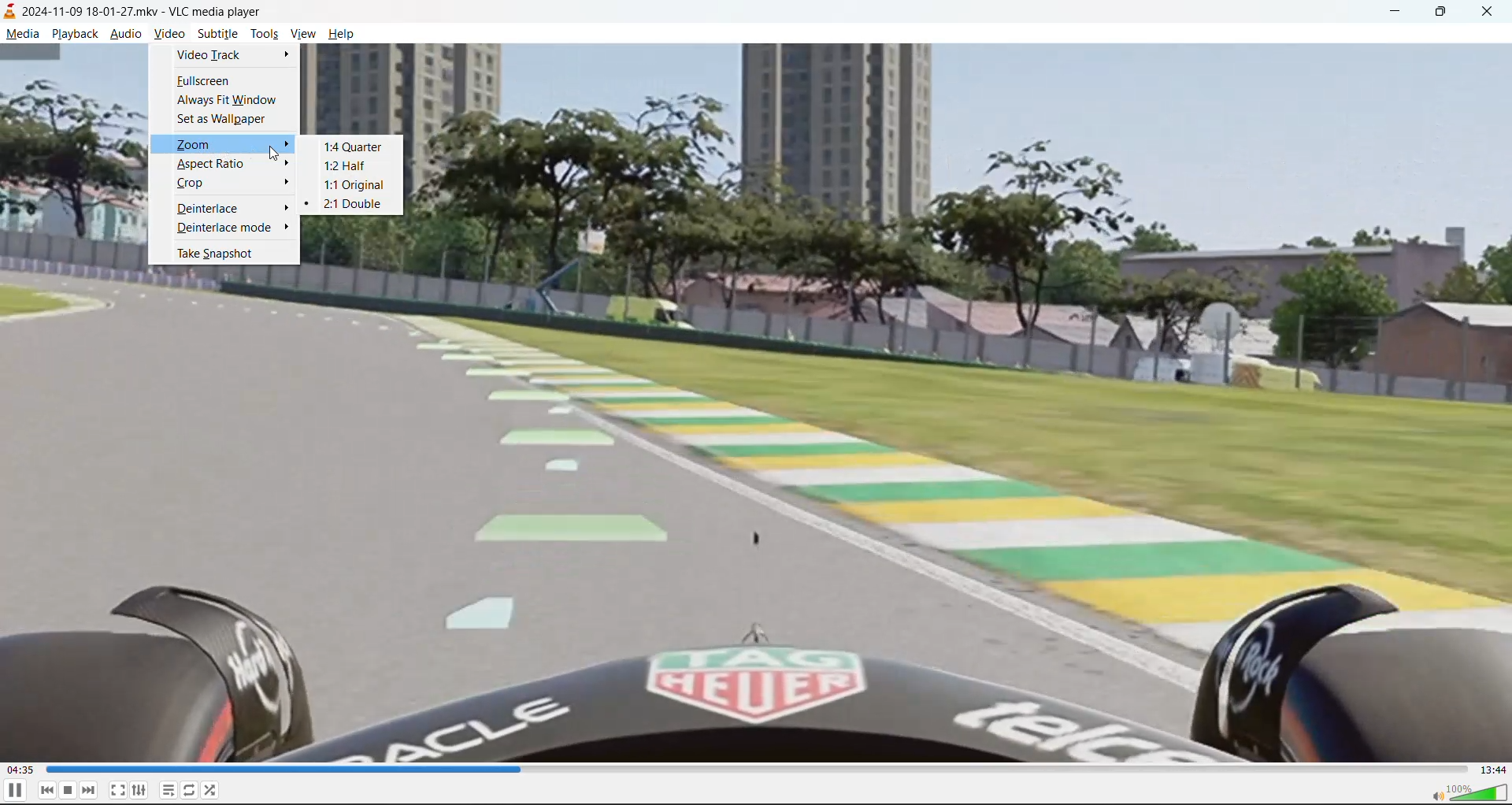  What do you see at coordinates (345, 37) in the screenshot?
I see `help` at bounding box center [345, 37].